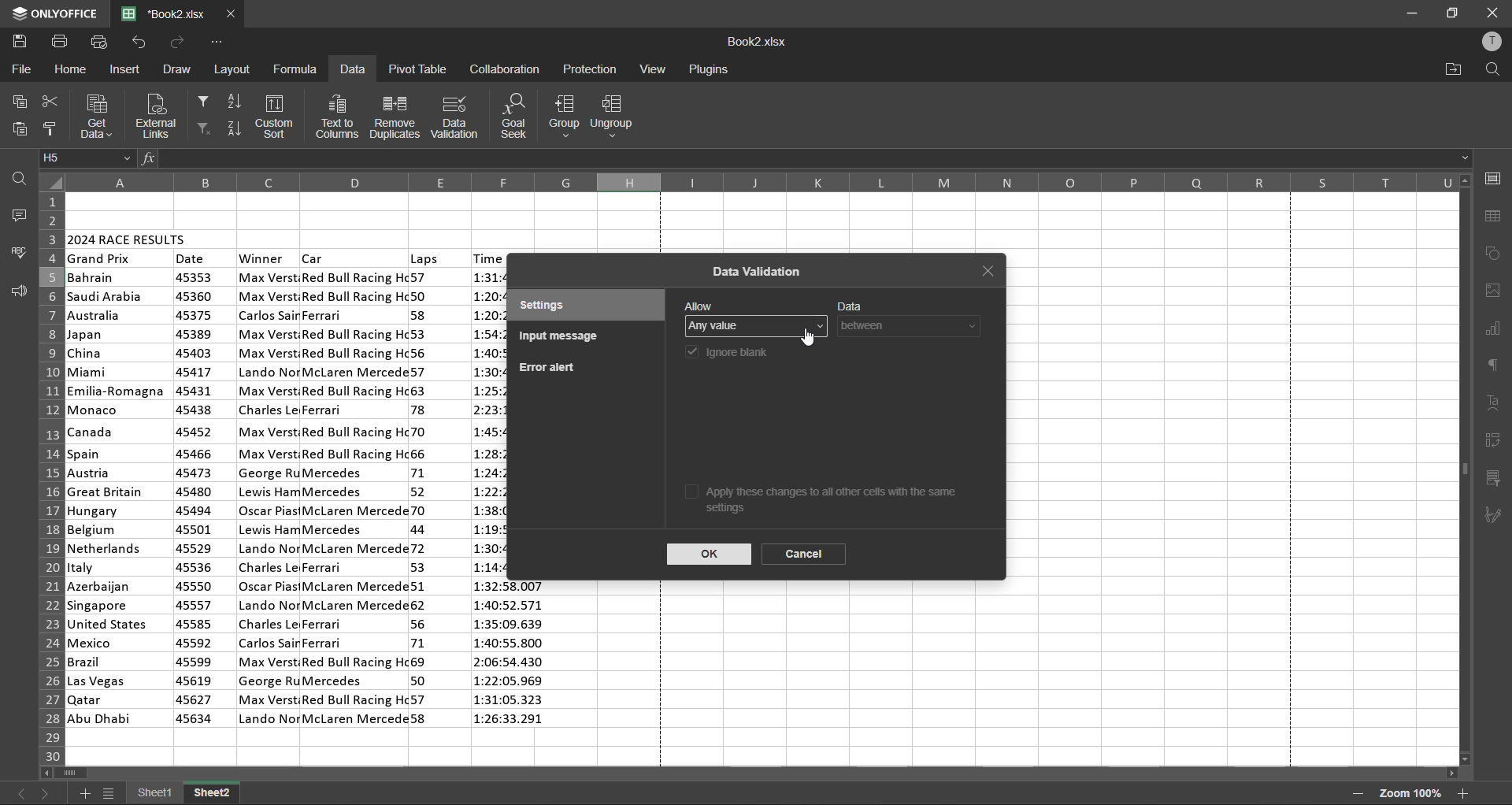 This screenshot has height=805, width=1512. What do you see at coordinates (422, 500) in the screenshot?
I see `laps` at bounding box center [422, 500].